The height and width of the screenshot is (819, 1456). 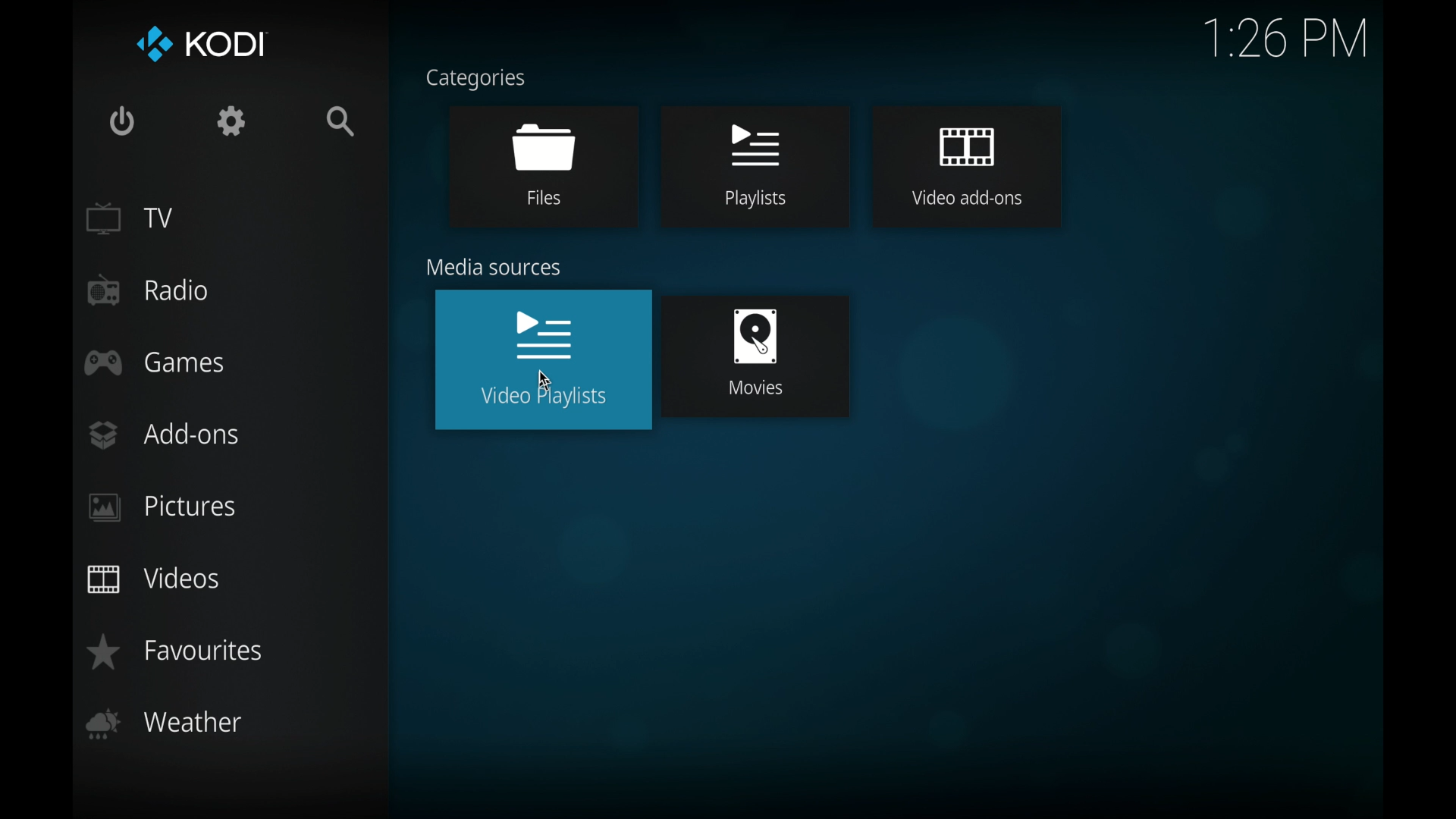 I want to click on favorites, so click(x=174, y=651).